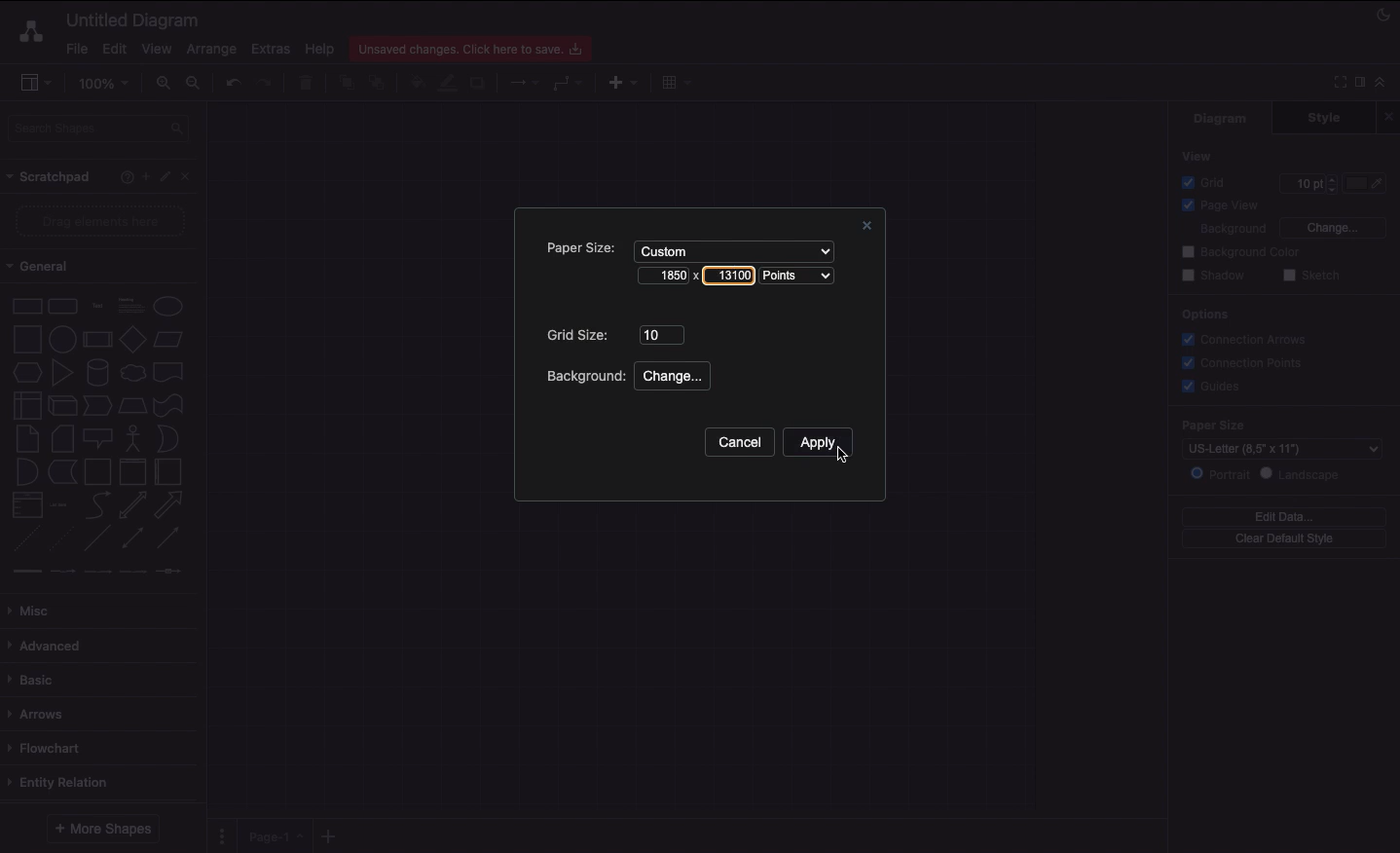 The width and height of the screenshot is (1400, 853). What do you see at coordinates (25, 505) in the screenshot?
I see `List` at bounding box center [25, 505].